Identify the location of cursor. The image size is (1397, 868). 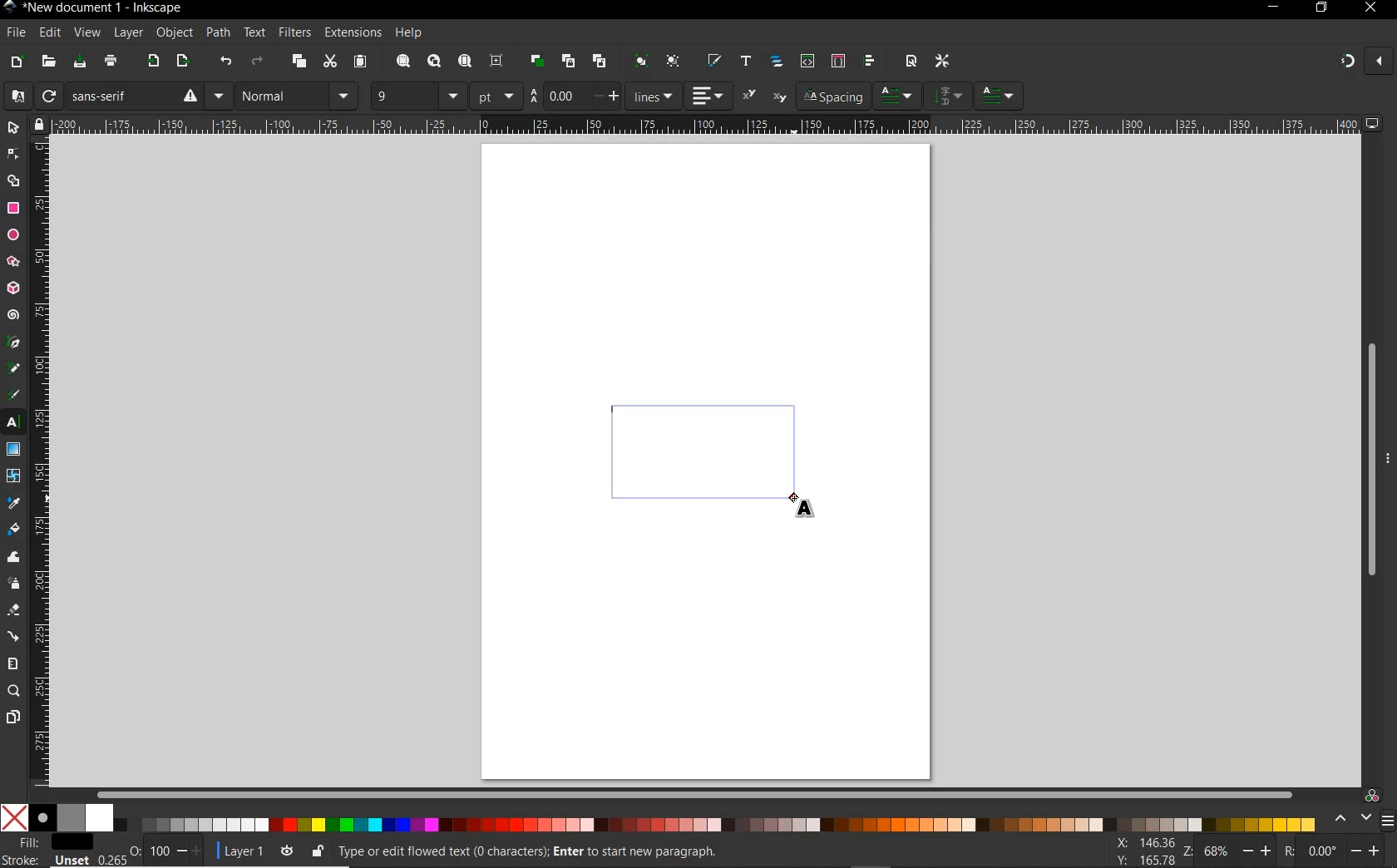
(807, 507).